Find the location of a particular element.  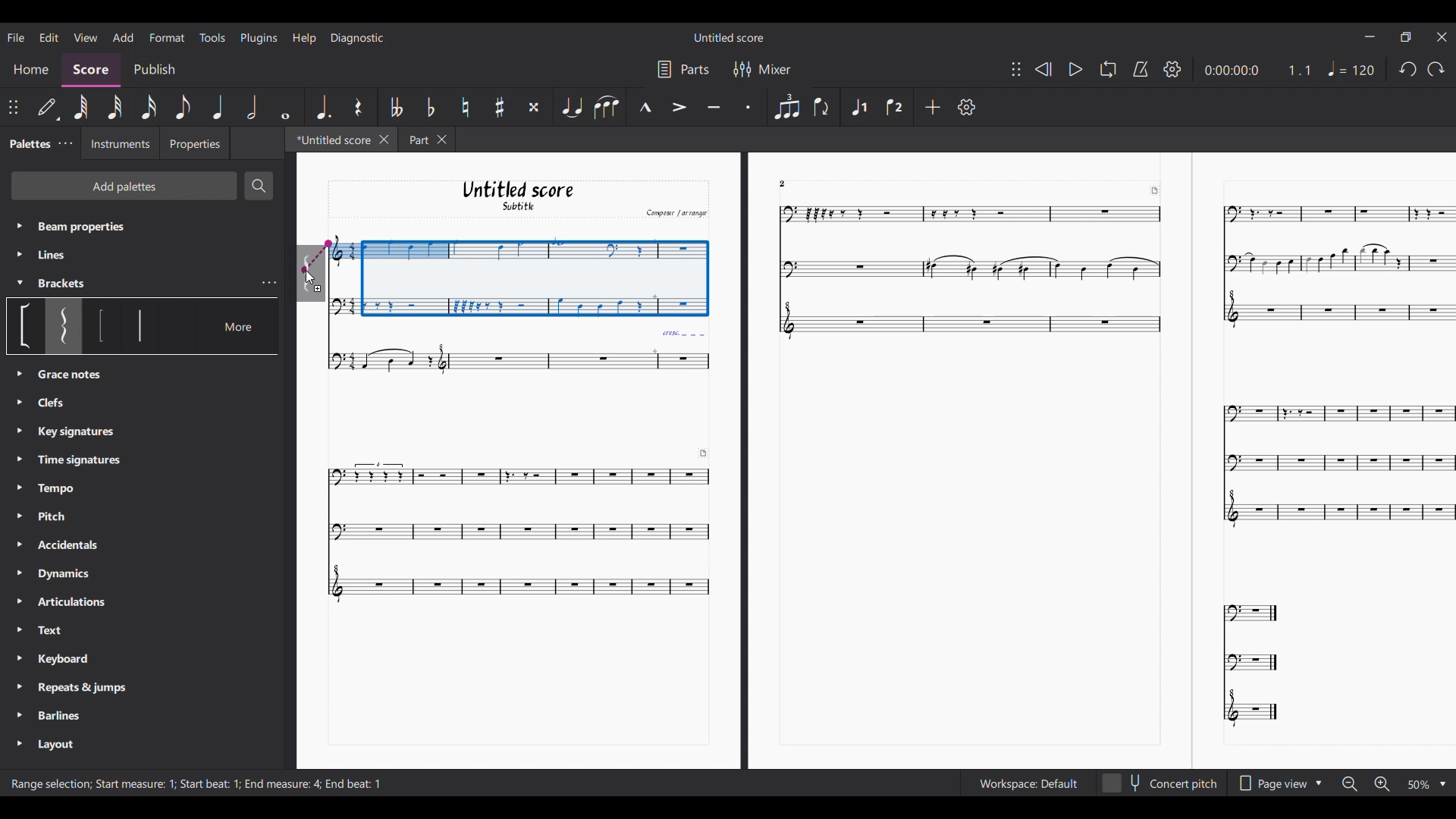

 is located at coordinates (522, 475).